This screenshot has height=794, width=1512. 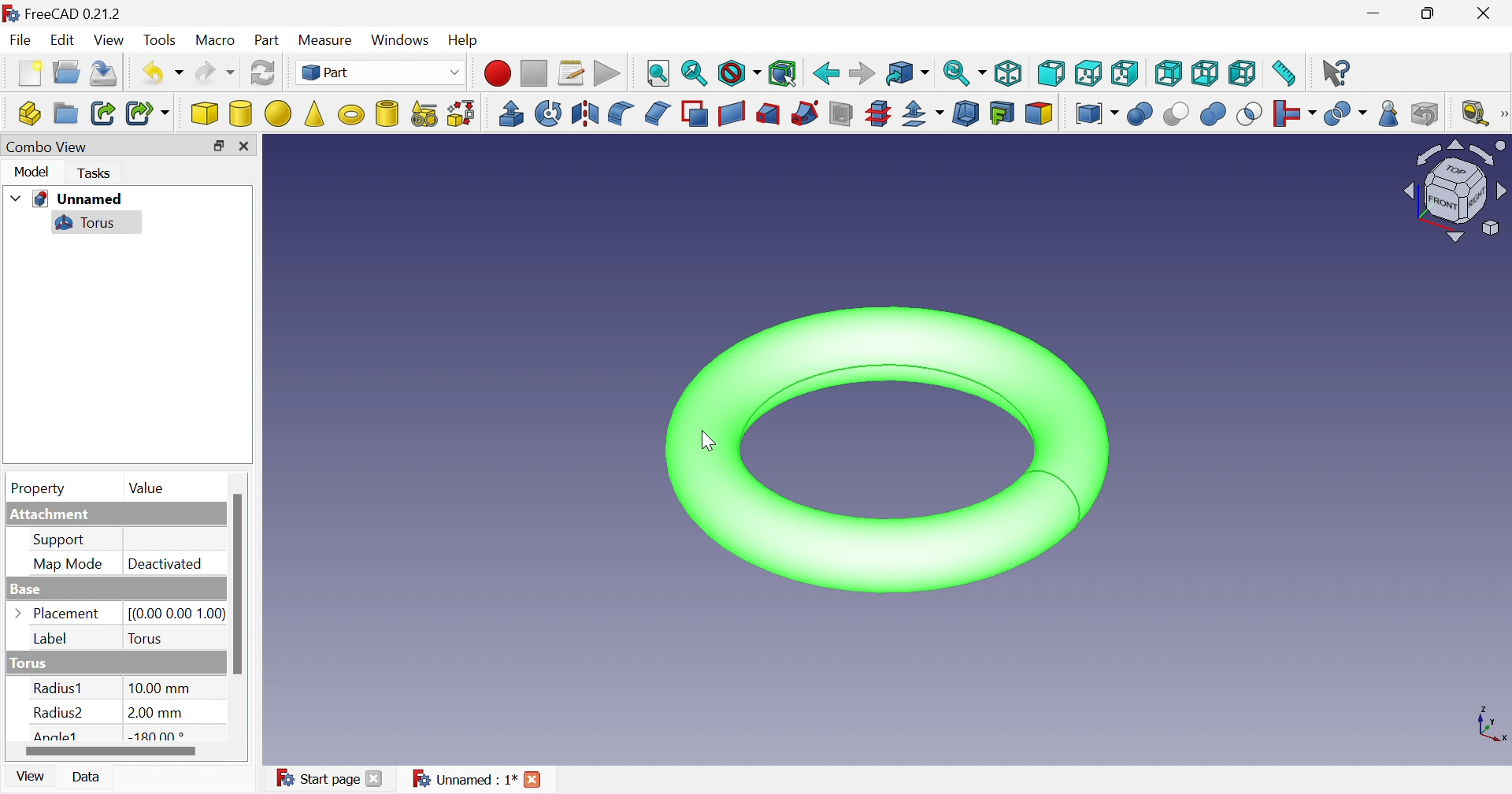 I want to click on Windows, so click(x=400, y=42).